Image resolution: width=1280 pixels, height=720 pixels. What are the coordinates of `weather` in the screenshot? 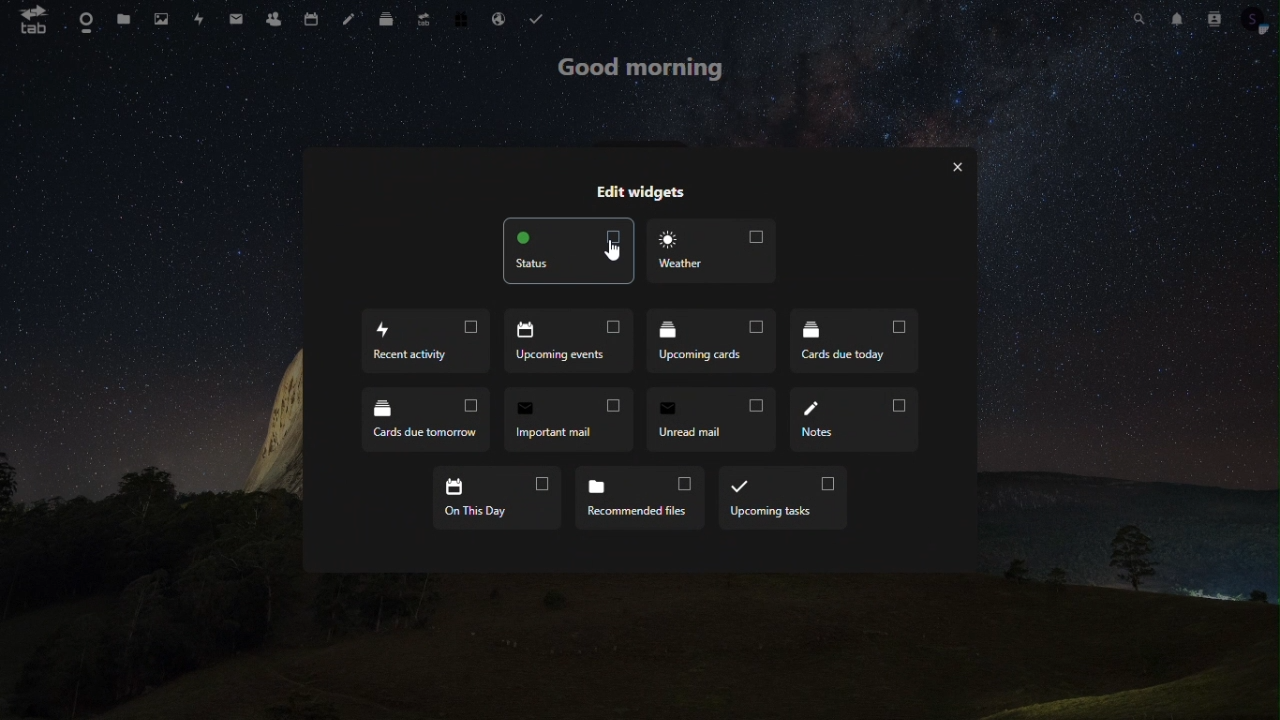 It's located at (714, 252).